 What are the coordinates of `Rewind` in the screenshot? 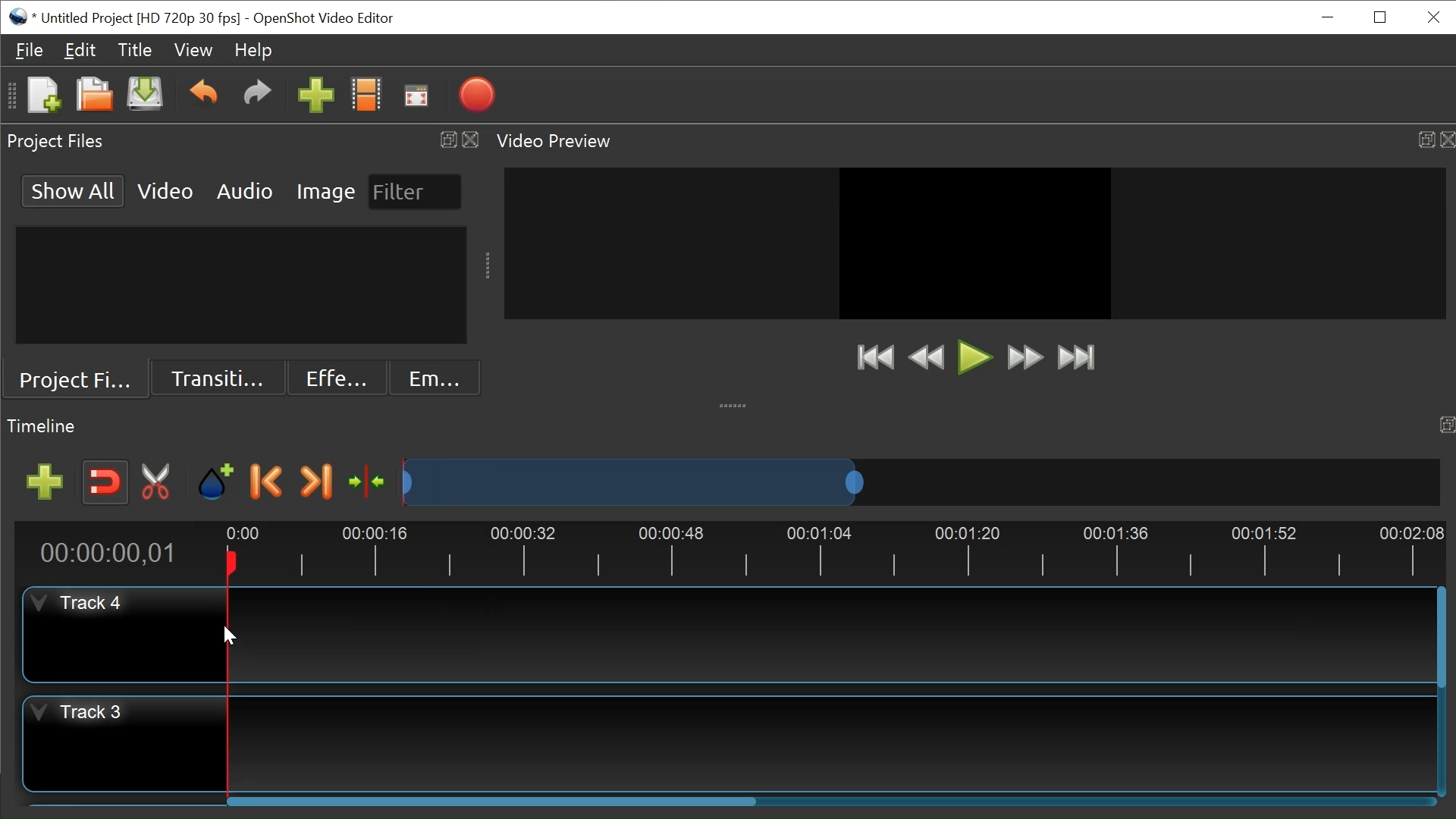 It's located at (927, 358).